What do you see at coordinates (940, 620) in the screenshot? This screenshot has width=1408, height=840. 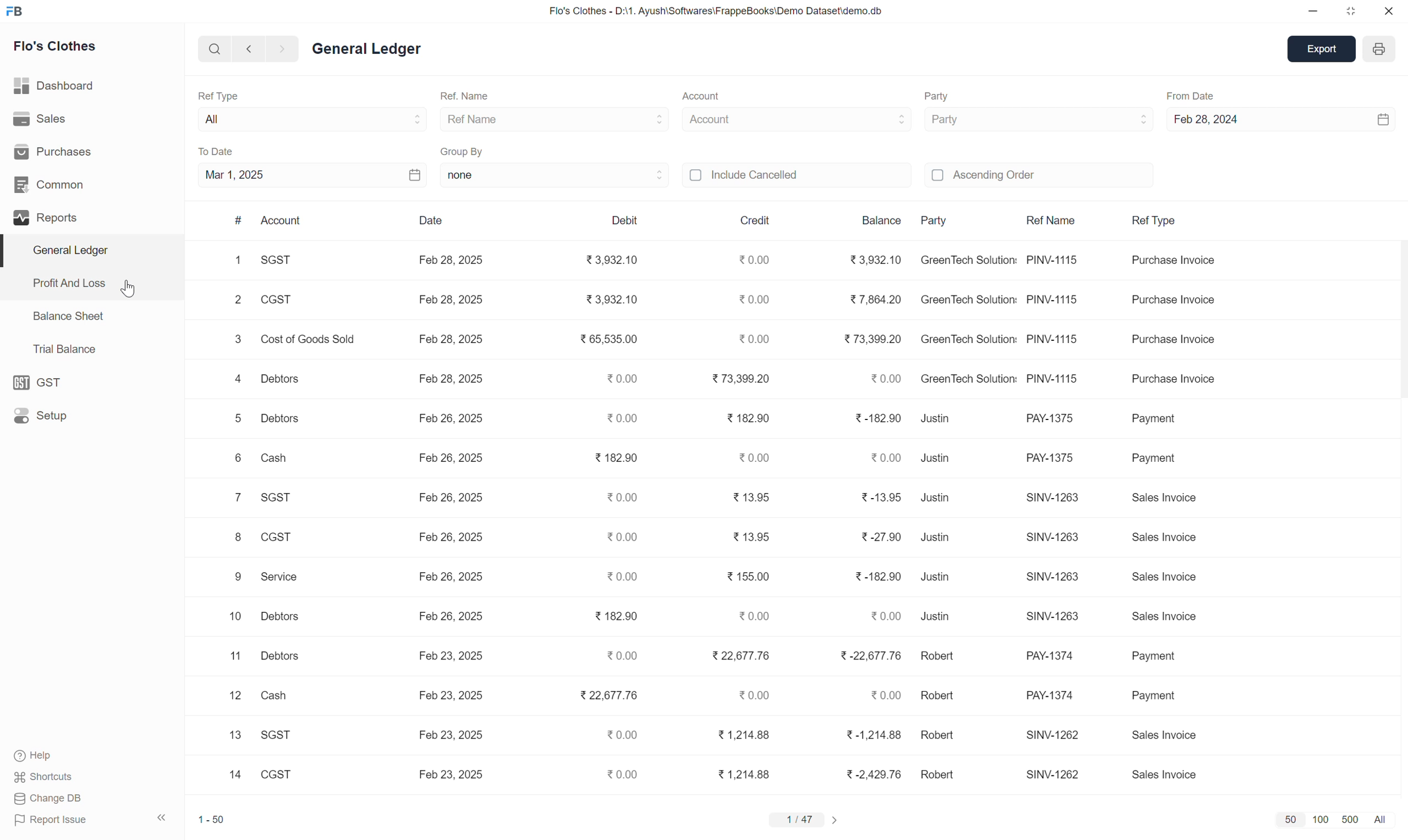 I see `Justin` at bounding box center [940, 620].